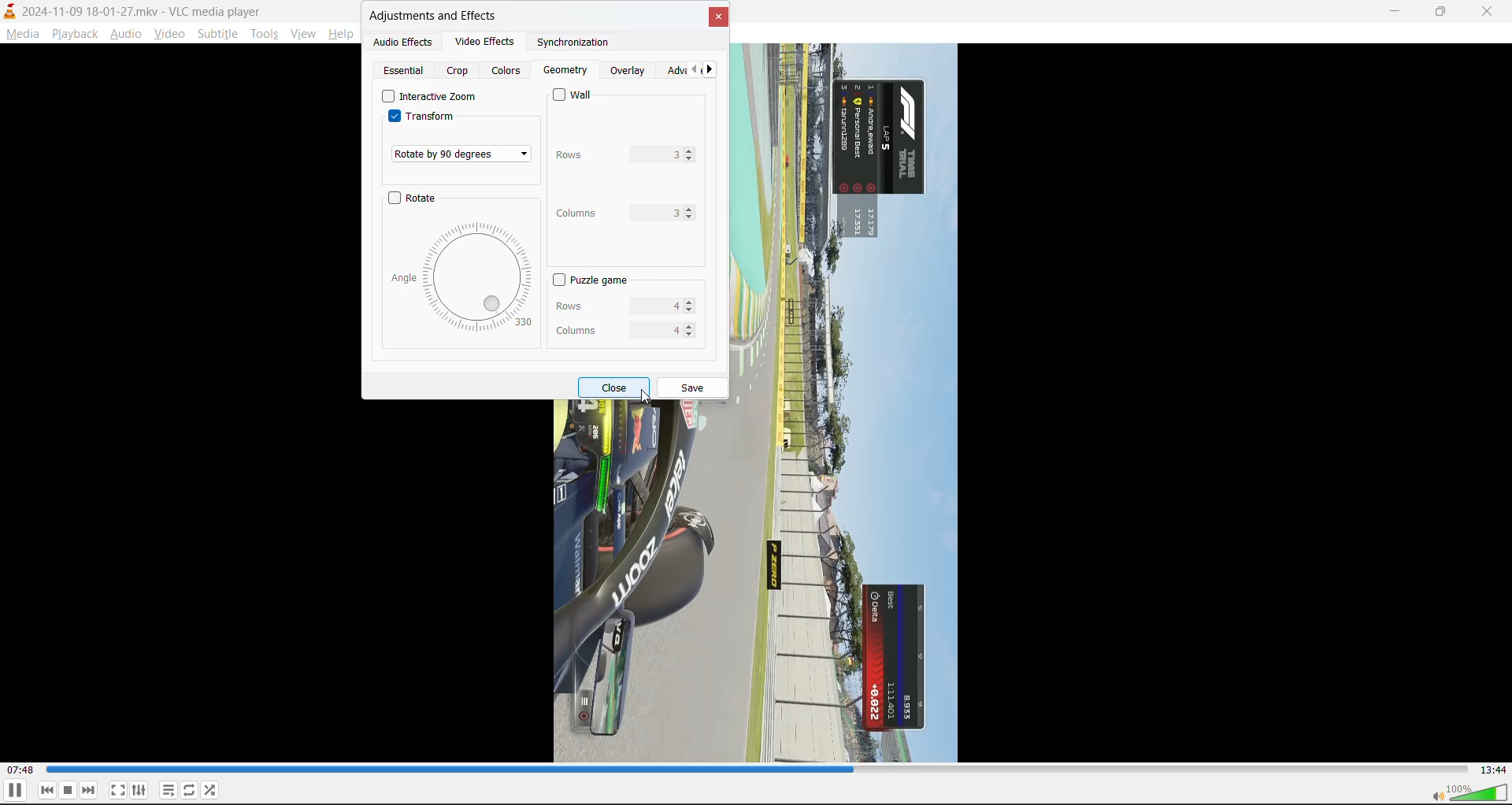  Describe the element at coordinates (430, 95) in the screenshot. I see `Interactive zoom` at that location.